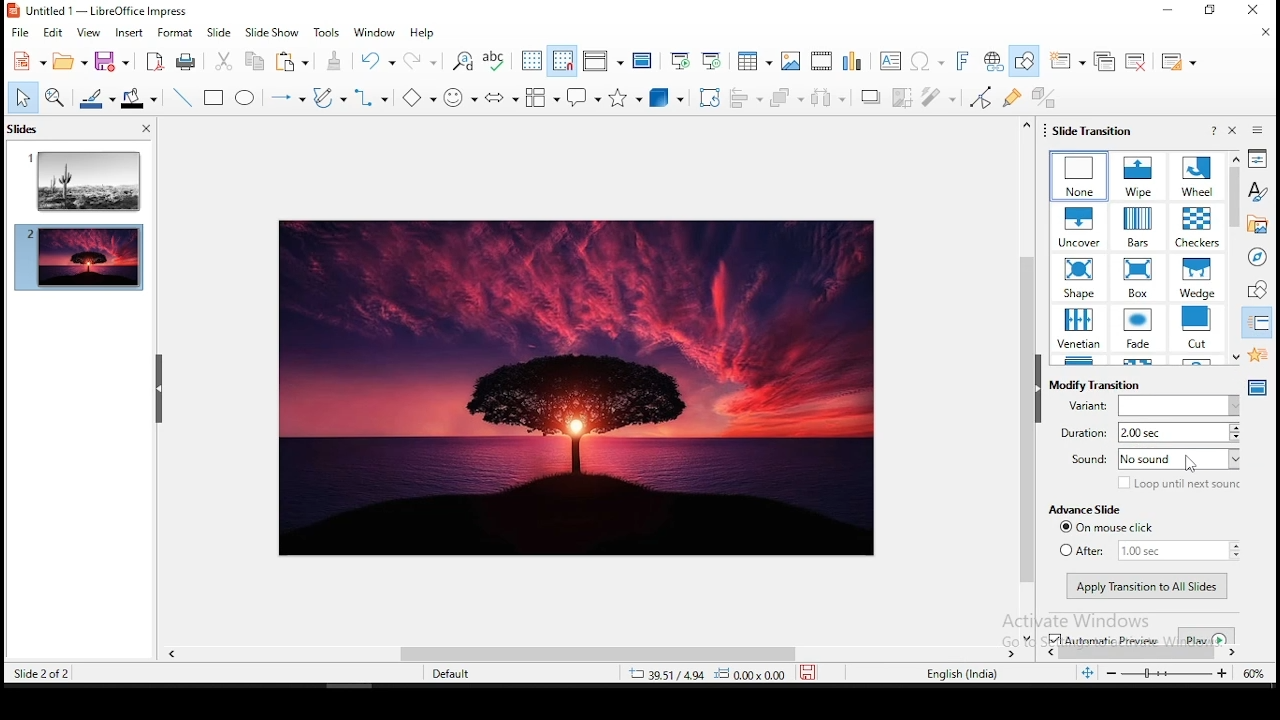  I want to click on fontwork text, so click(961, 62).